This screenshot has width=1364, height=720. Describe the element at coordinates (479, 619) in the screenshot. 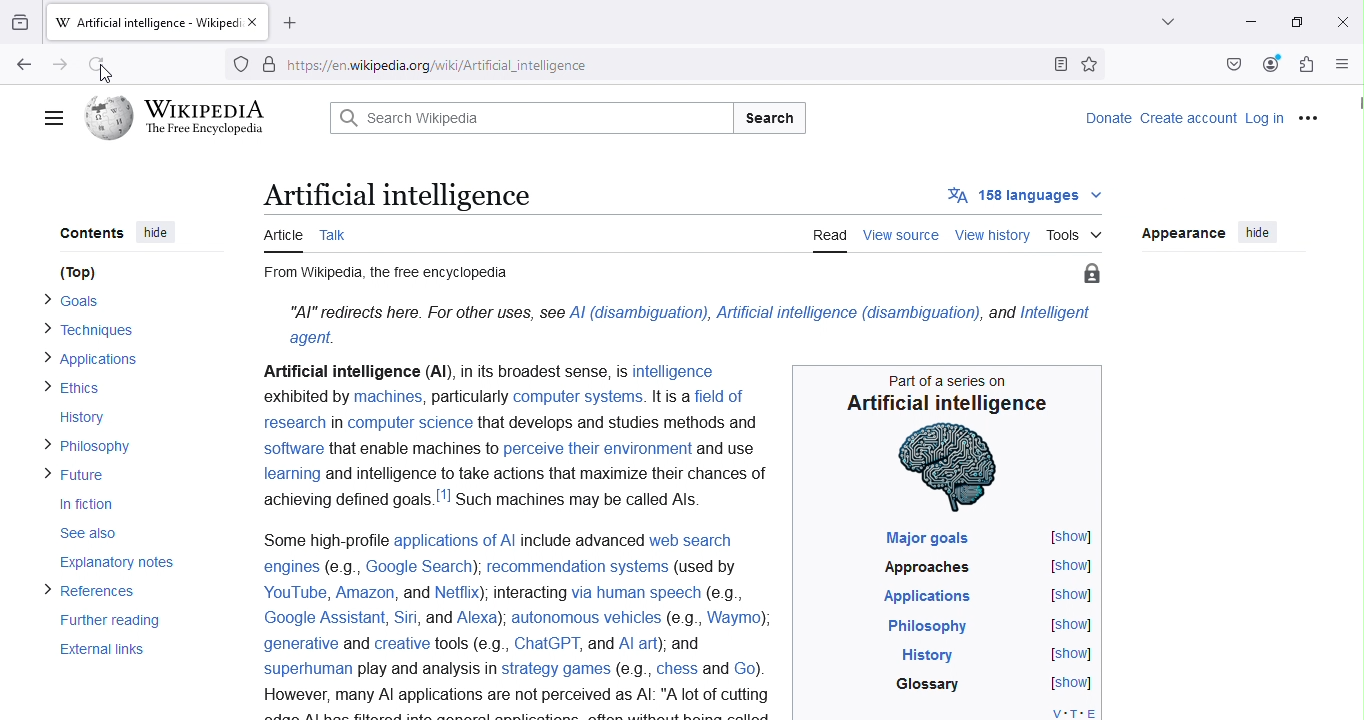

I see `| Alexa)` at that location.